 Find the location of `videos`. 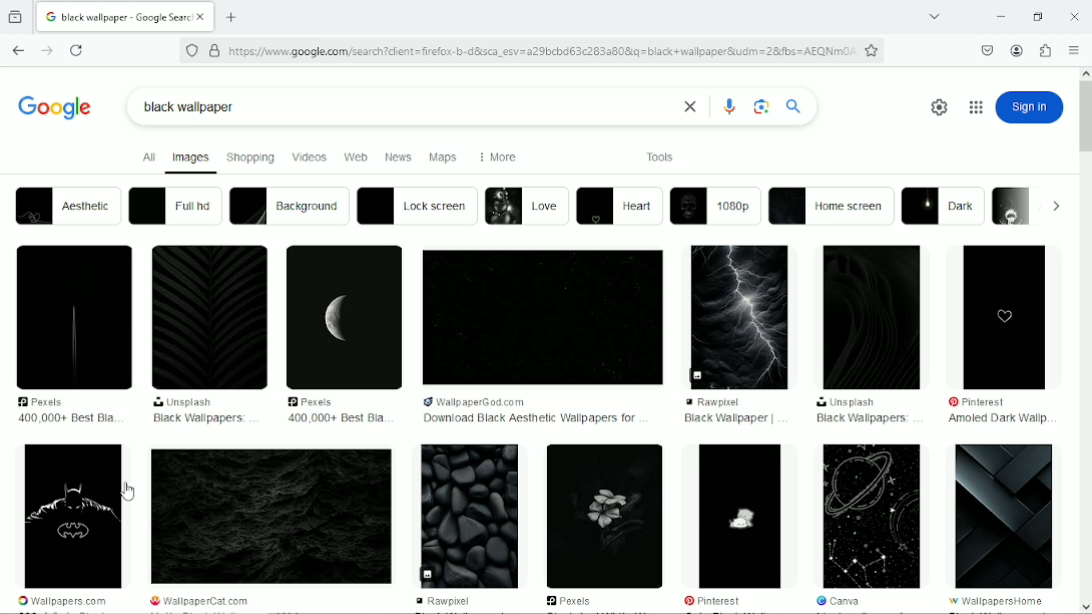

videos is located at coordinates (309, 156).